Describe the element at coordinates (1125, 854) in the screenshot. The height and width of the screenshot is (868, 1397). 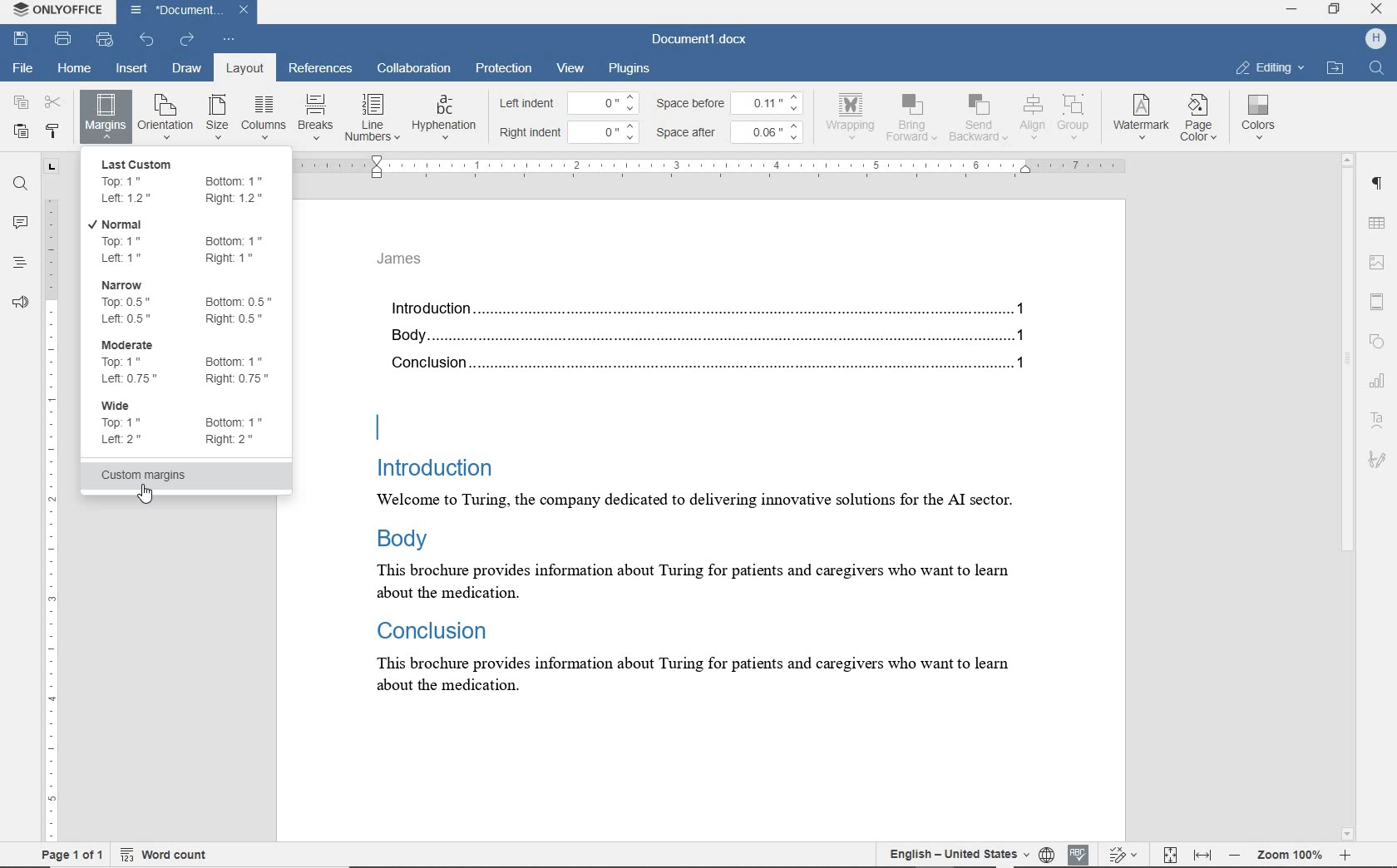
I see `track changes` at that location.